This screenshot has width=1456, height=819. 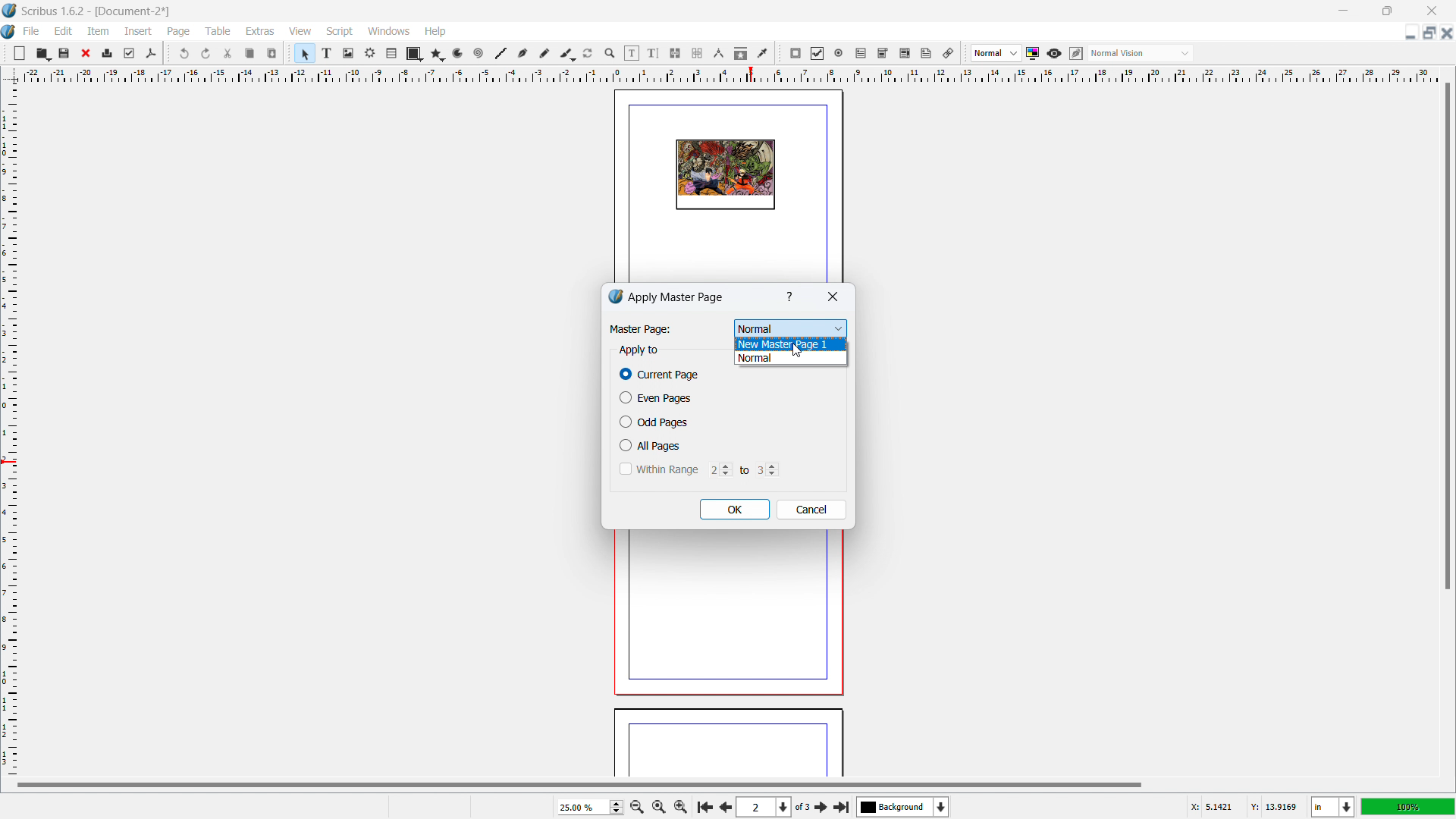 I want to click on zoom in by the stepping value in tool preference, so click(x=681, y=805).